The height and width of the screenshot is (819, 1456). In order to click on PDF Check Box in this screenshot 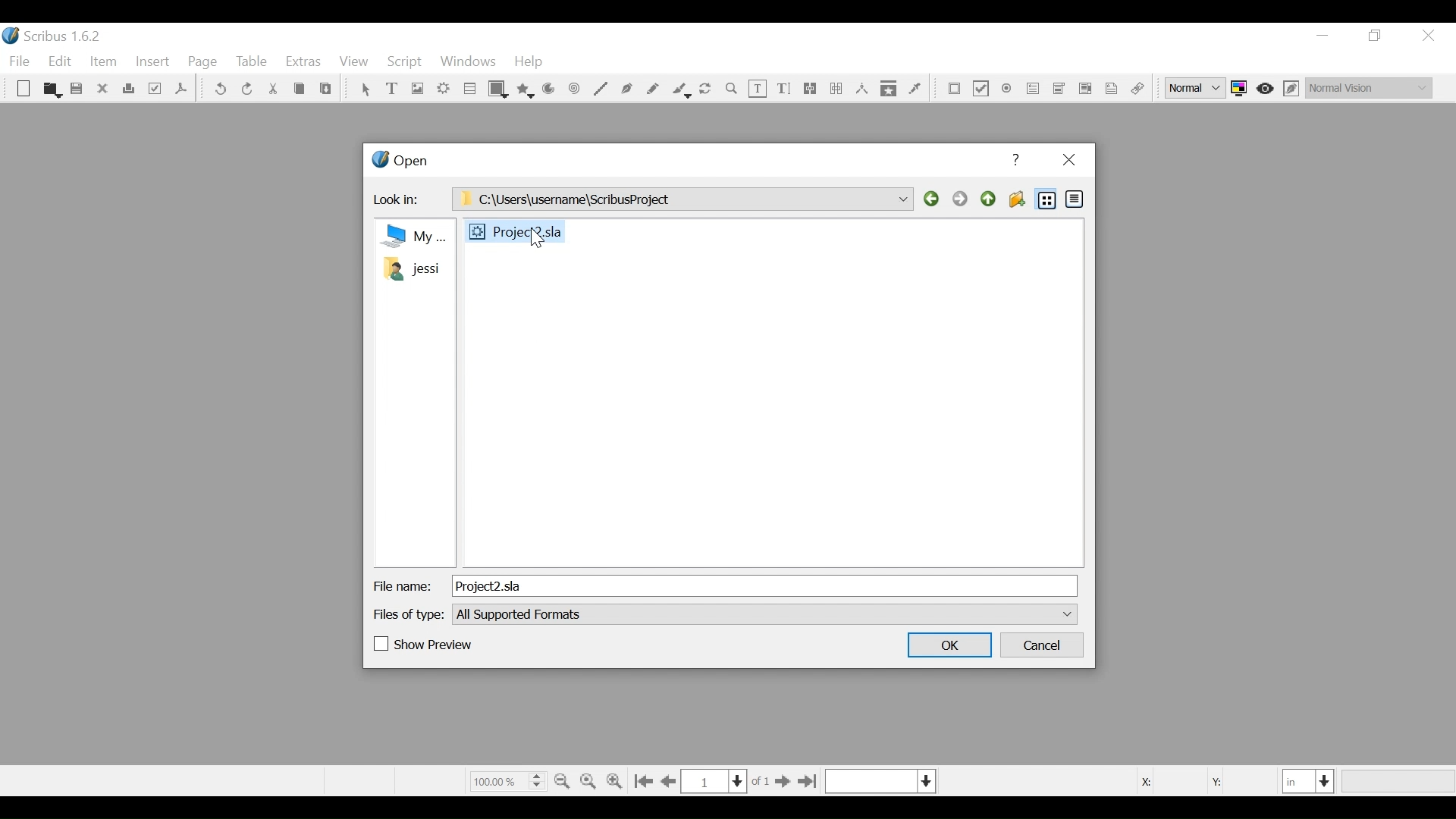, I will do `click(981, 90)`.